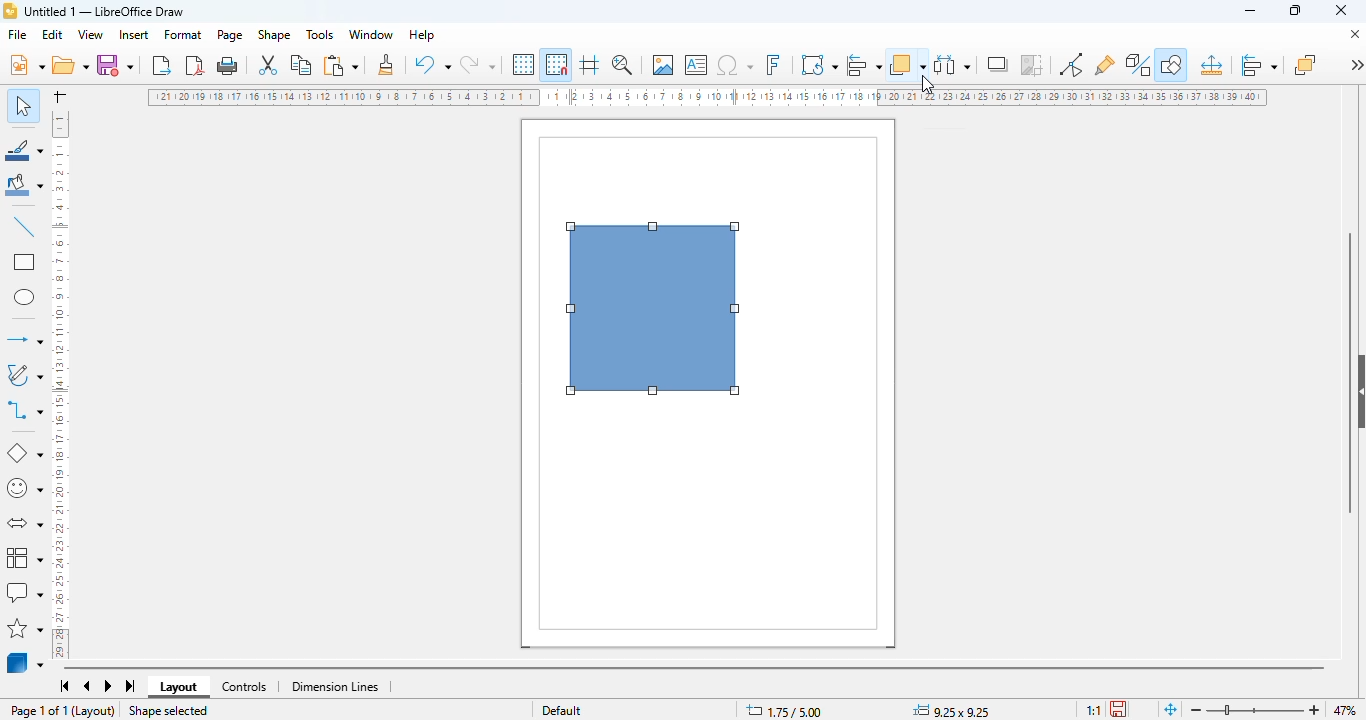  Describe the element at coordinates (69, 65) in the screenshot. I see `open` at that location.